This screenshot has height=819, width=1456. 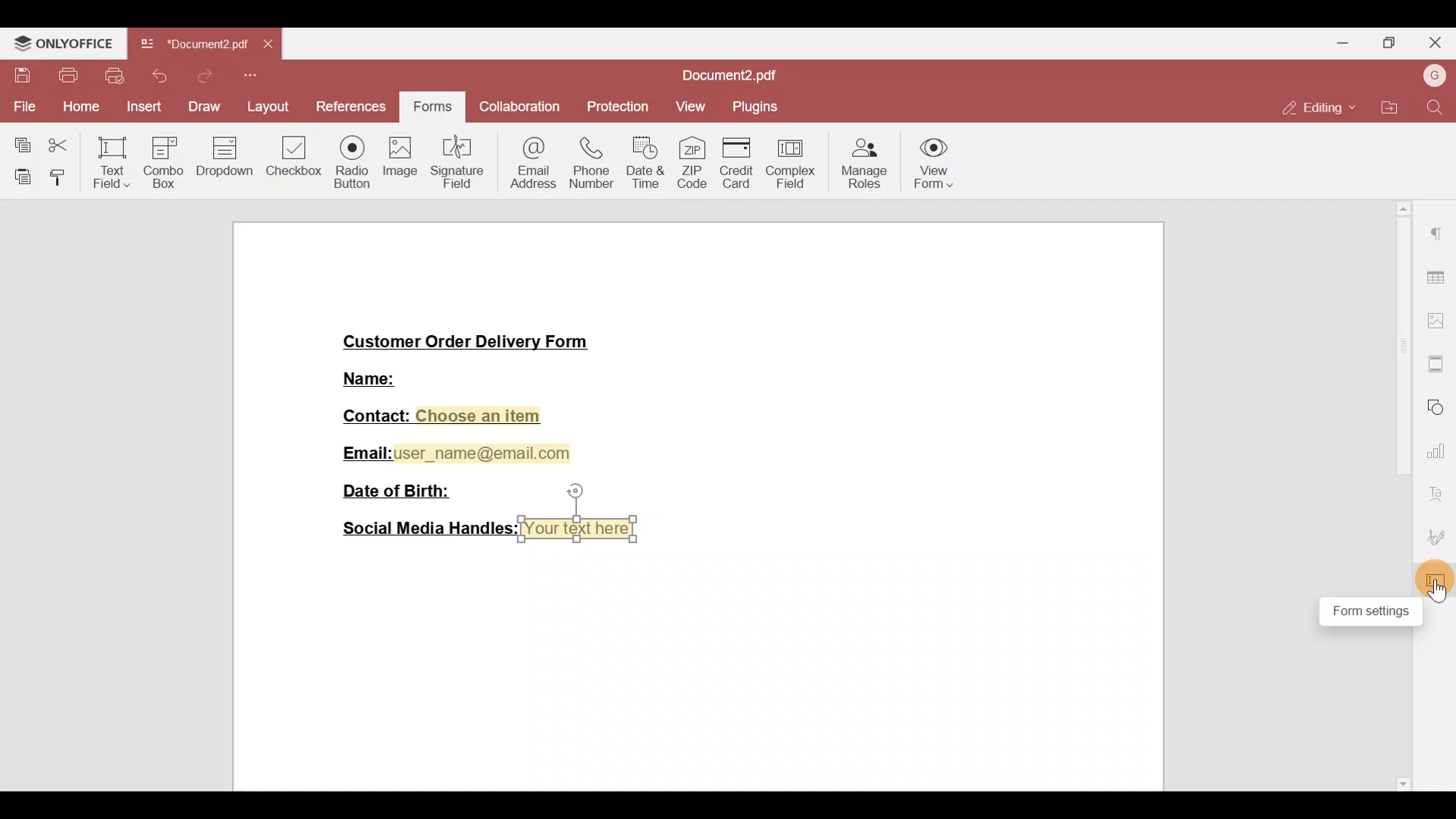 I want to click on Email:user_name@email.com, so click(x=450, y=452).